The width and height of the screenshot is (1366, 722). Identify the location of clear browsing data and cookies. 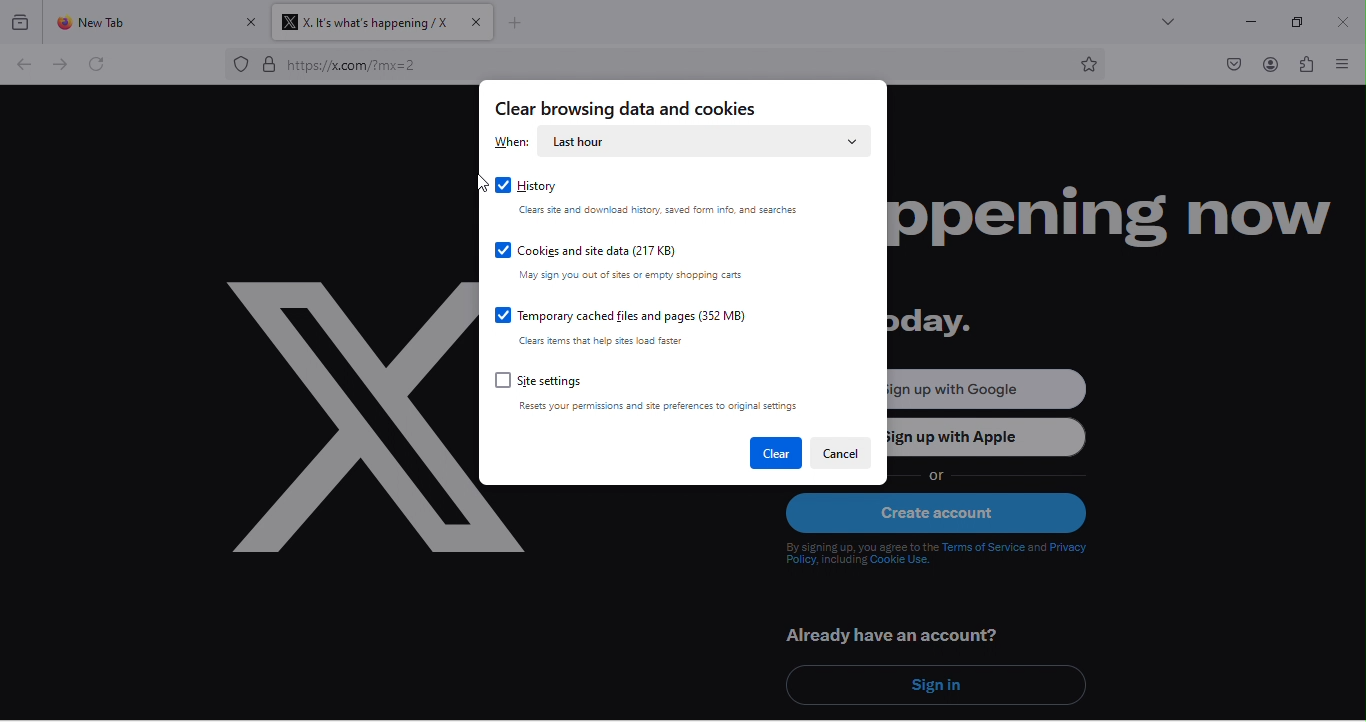
(627, 106).